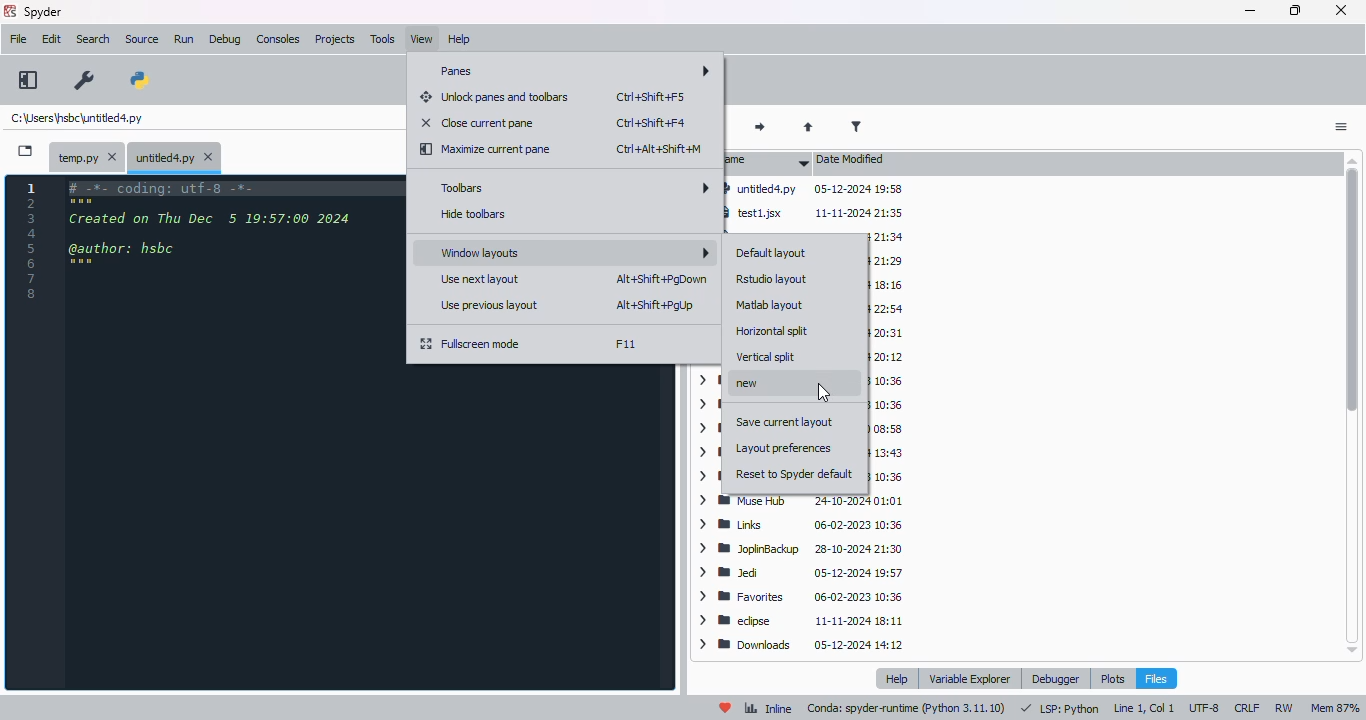  I want to click on shortcut for close current pane, so click(651, 122).